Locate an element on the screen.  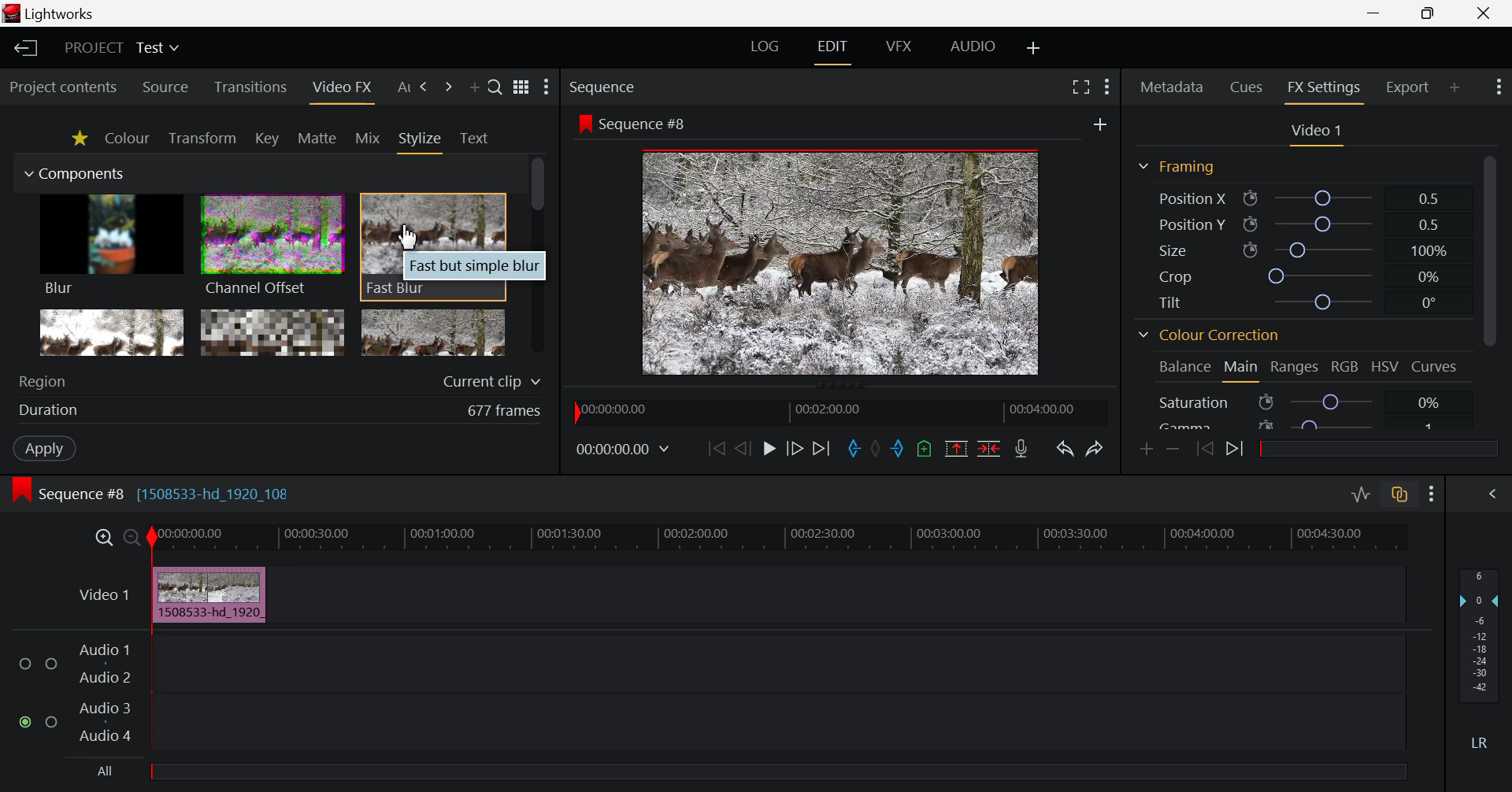
Add Panel is located at coordinates (446, 87).